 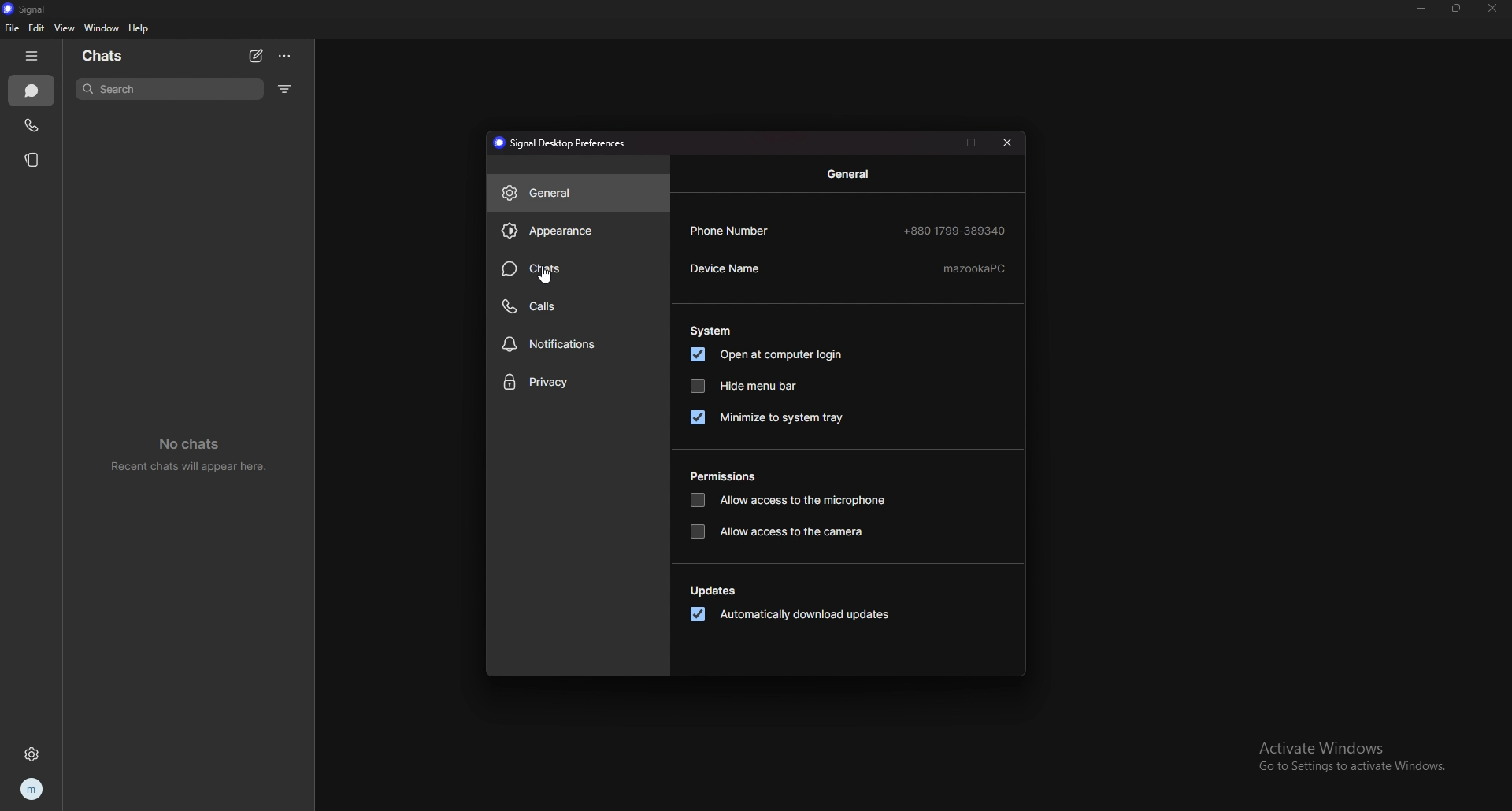 I want to click on signal desktop preferences, so click(x=562, y=142).